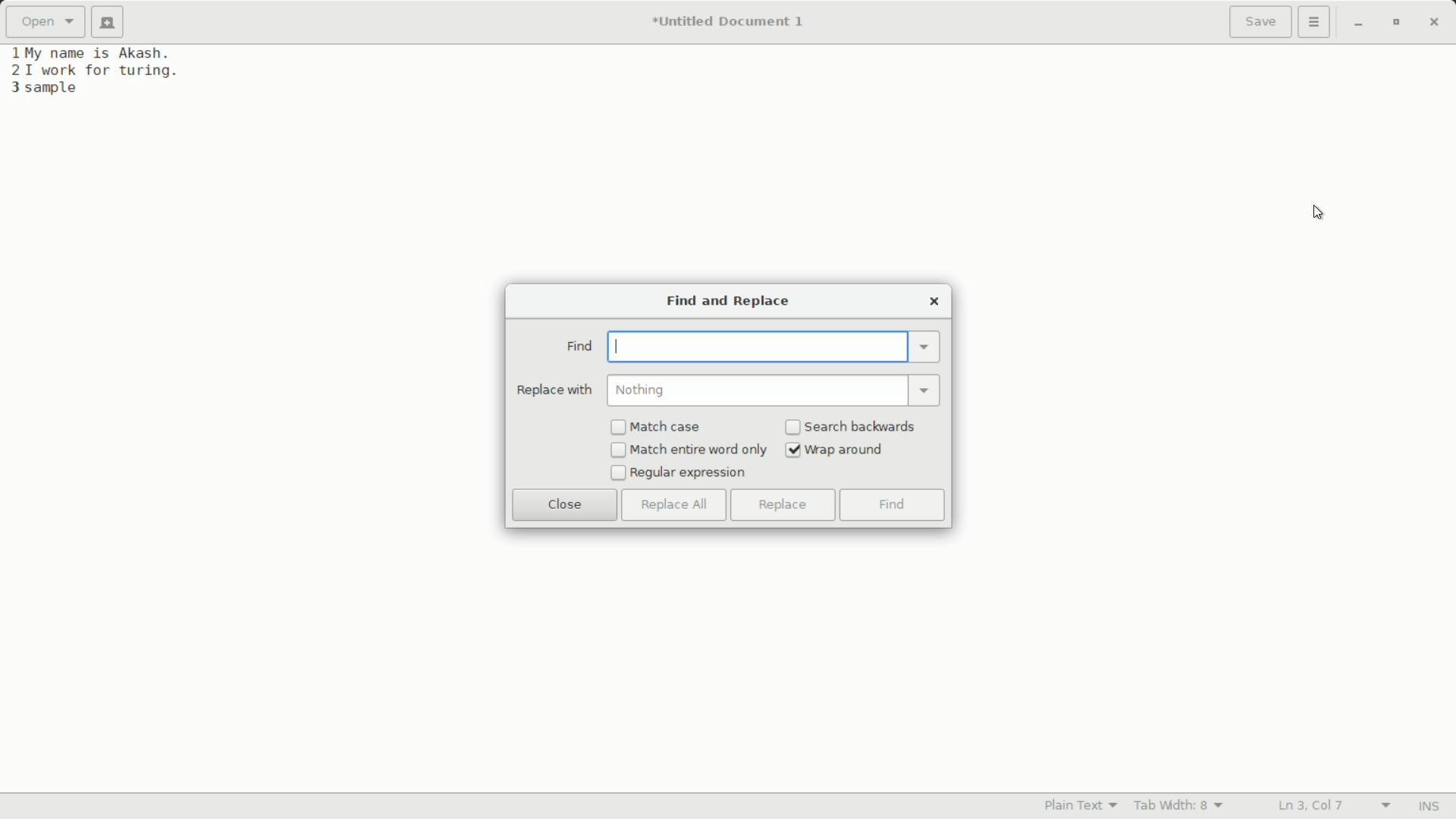  I want to click on lines and columns, so click(1332, 806).